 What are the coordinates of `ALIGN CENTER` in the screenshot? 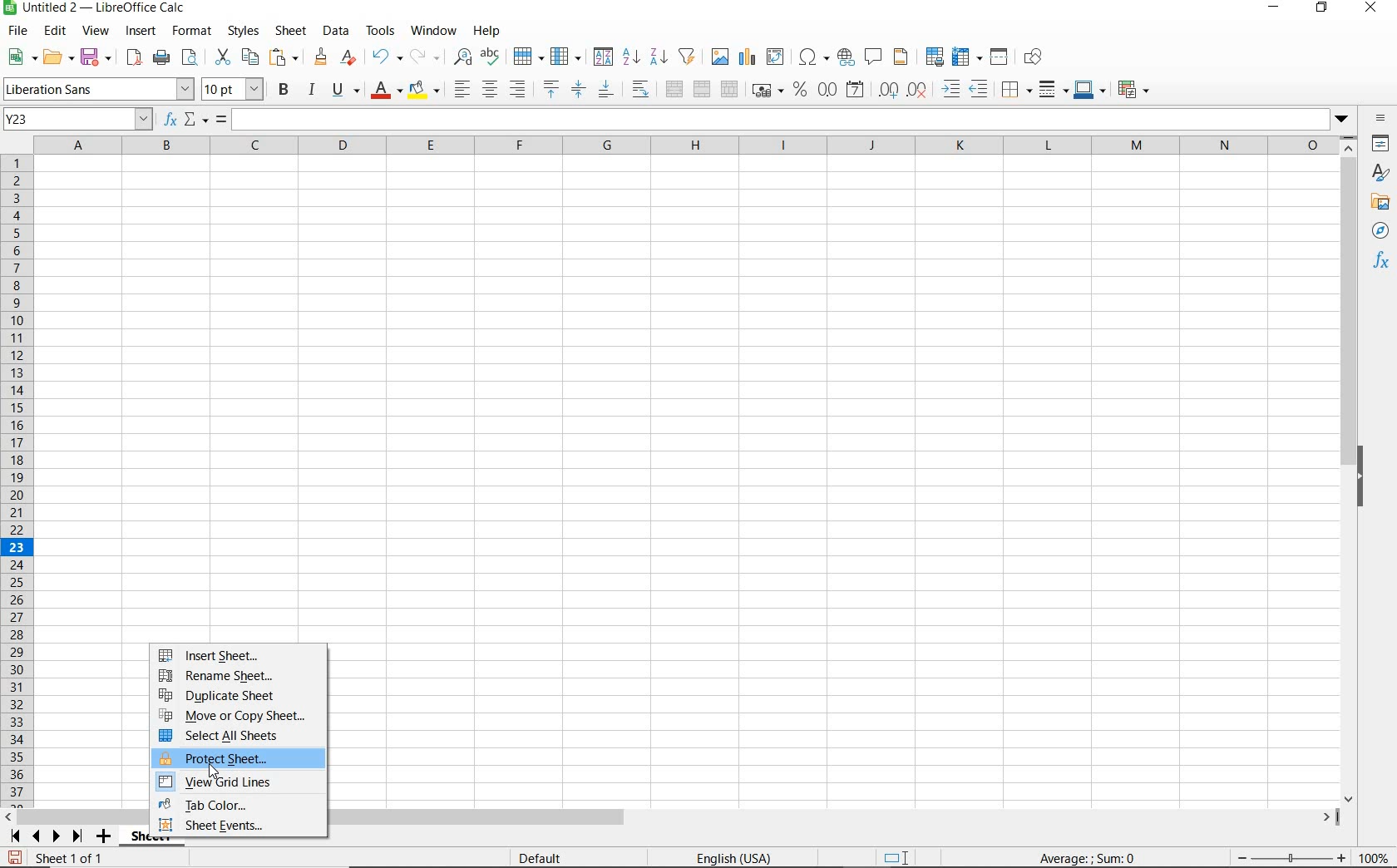 It's located at (490, 91).